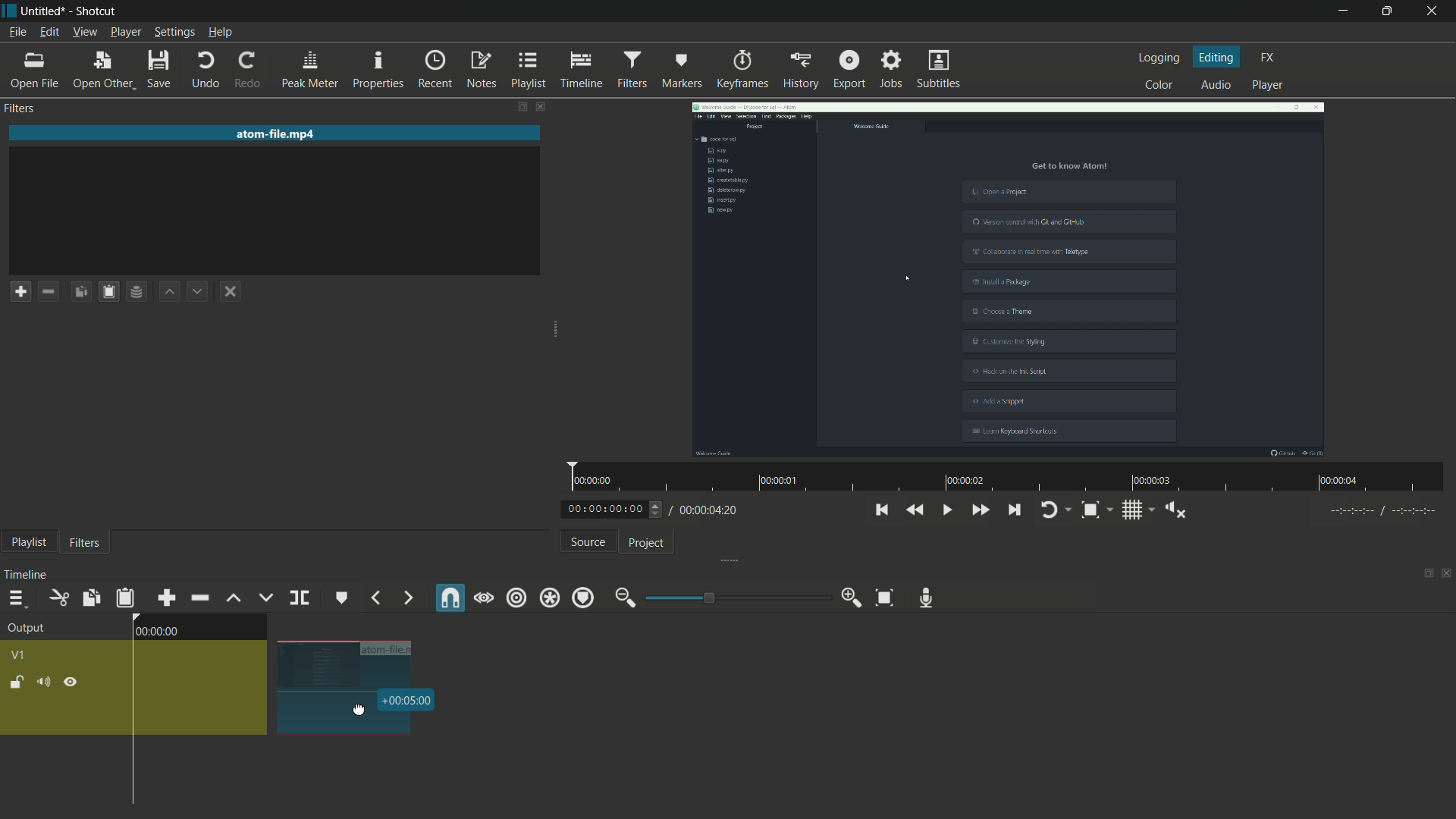  Describe the element at coordinates (29, 543) in the screenshot. I see `playlist` at that location.